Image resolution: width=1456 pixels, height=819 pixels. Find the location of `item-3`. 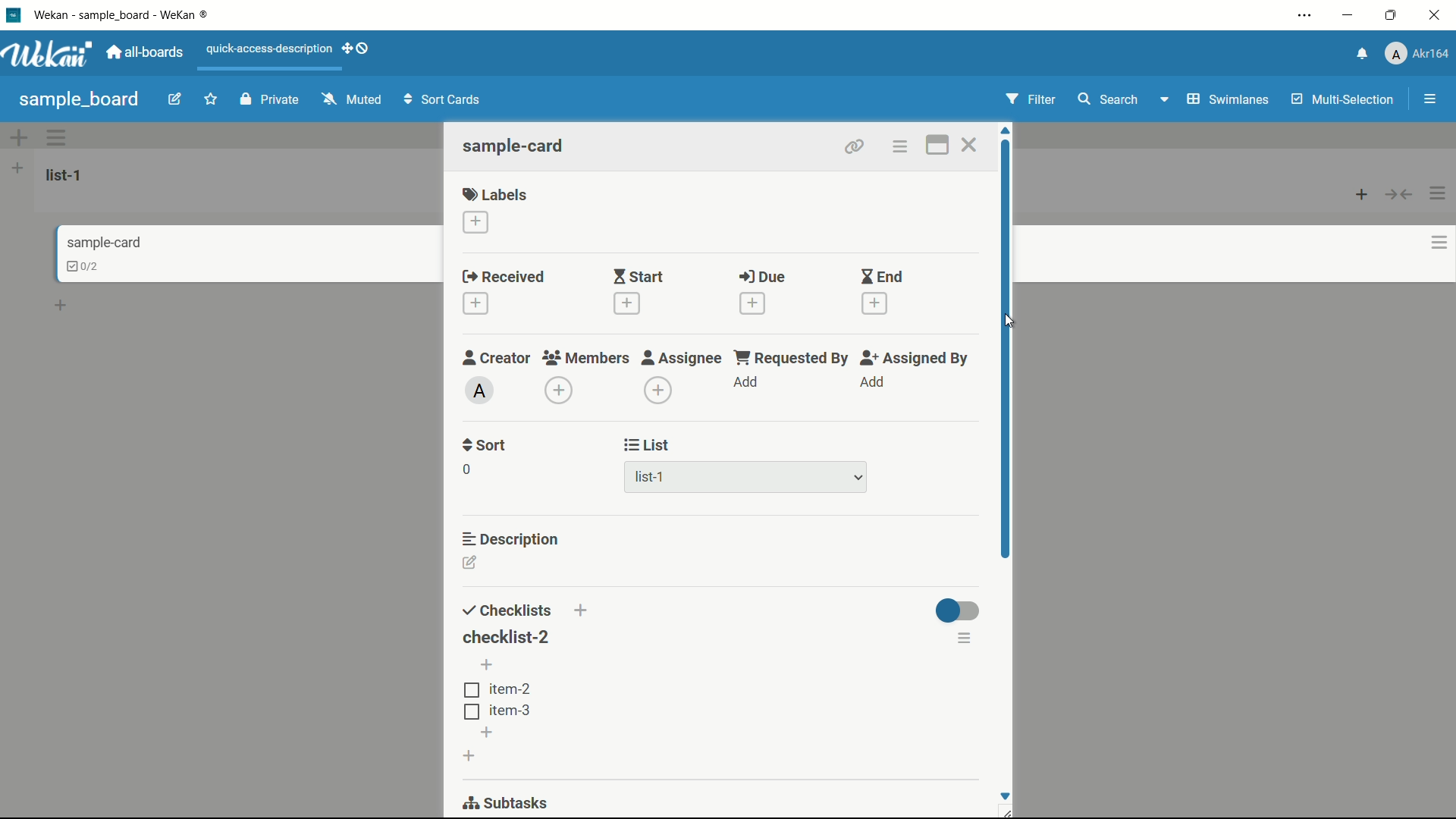

item-3 is located at coordinates (497, 713).